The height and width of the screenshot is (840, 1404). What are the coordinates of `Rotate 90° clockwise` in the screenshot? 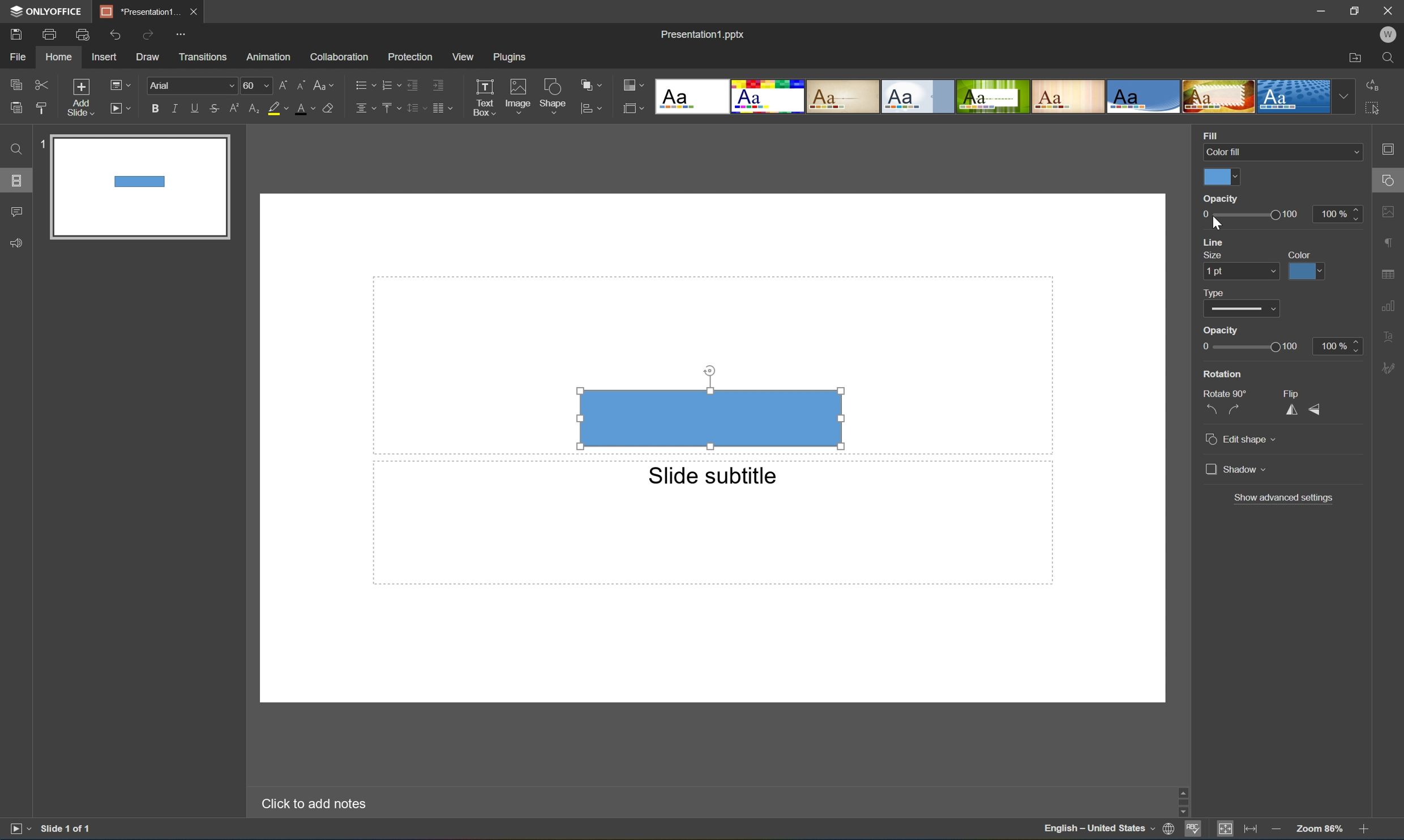 It's located at (1235, 408).